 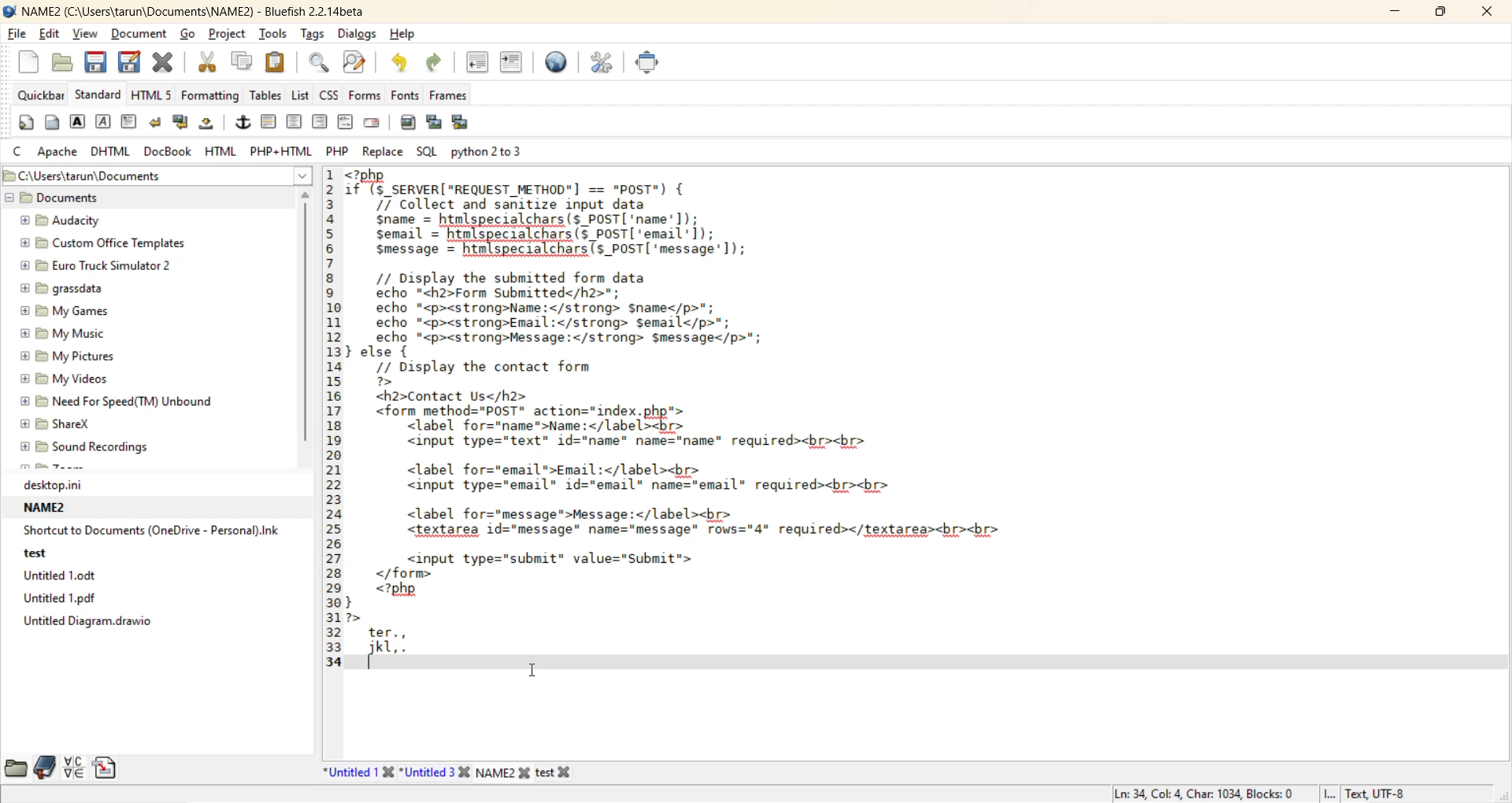 What do you see at coordinates (354, 62) in the screenshot?
I see `find and replace` at bounding box center [354, 62].